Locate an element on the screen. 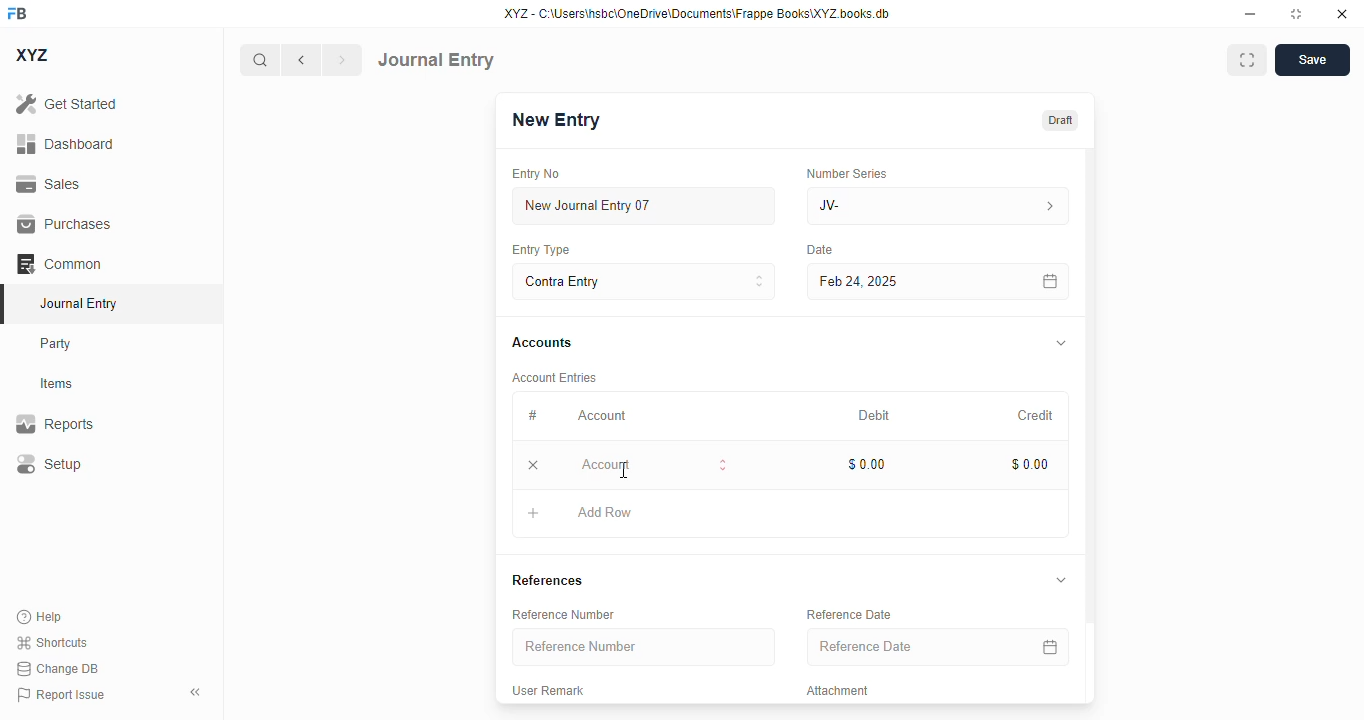 The height and width of the screenshot is (720, 1364). next is located at coordinates (343, 60).